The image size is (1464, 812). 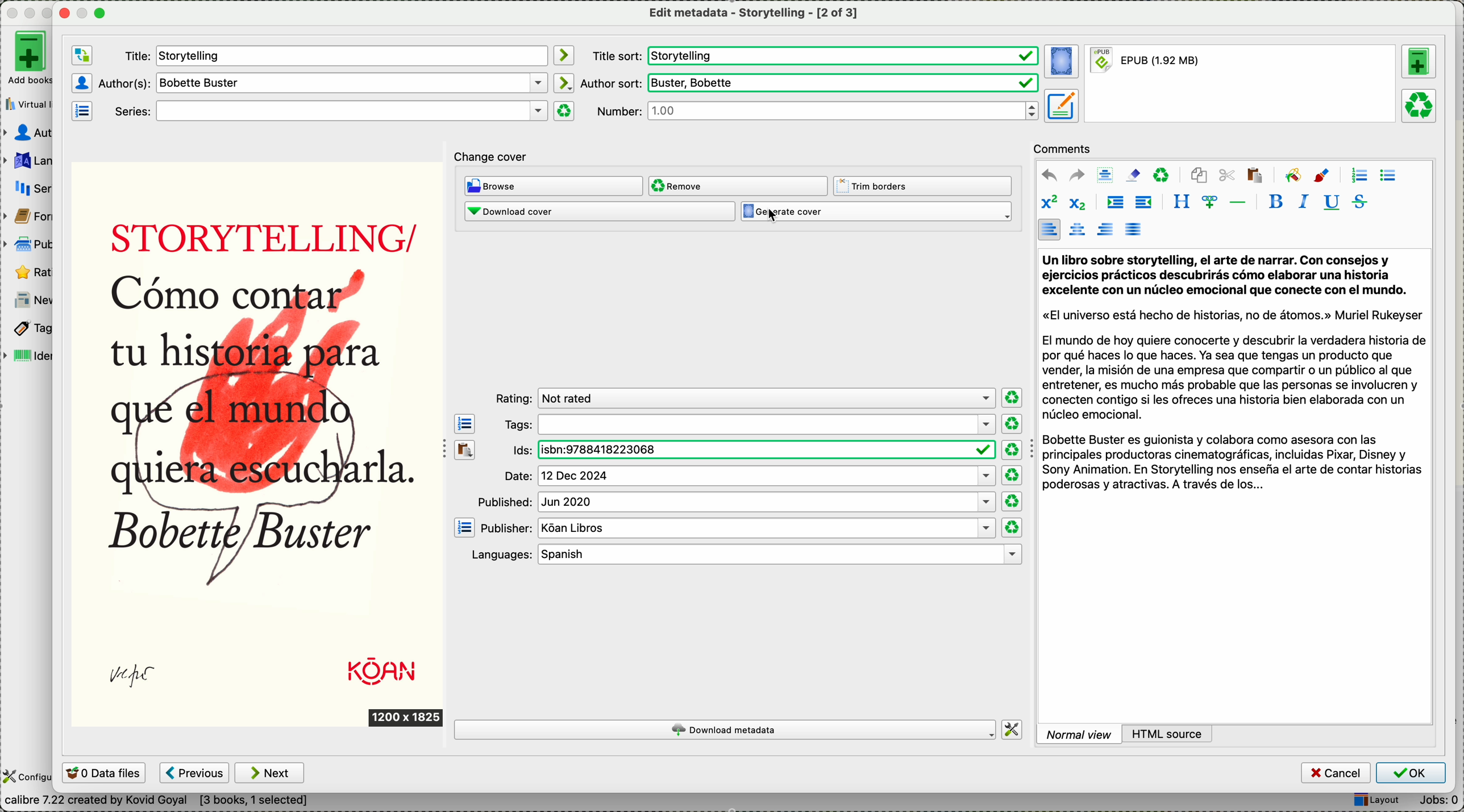 I want to click on clear date, so click(x=1011, y=397).